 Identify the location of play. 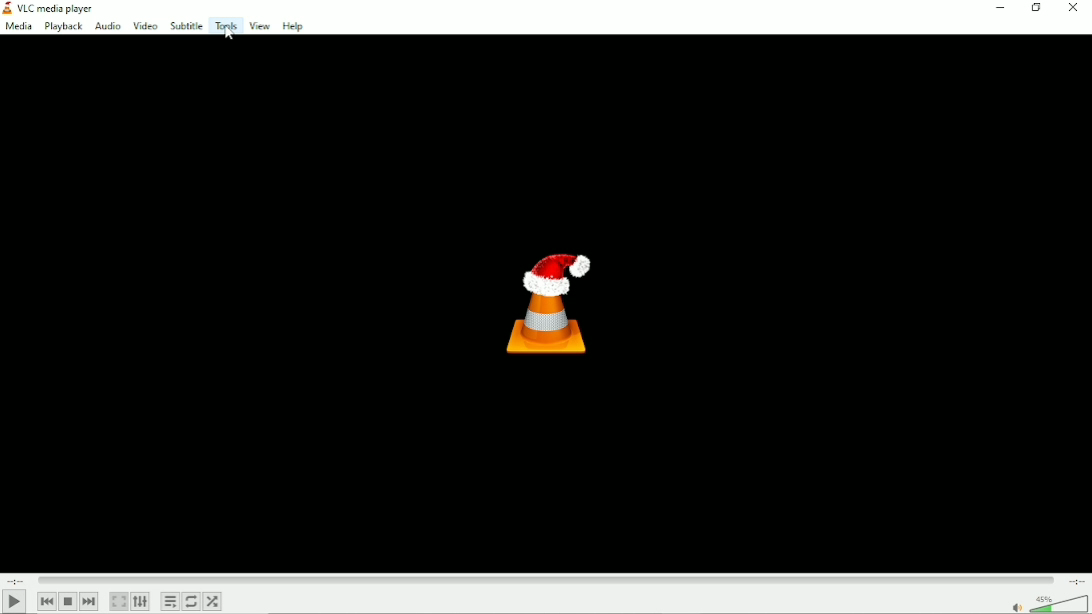
(14, 601).